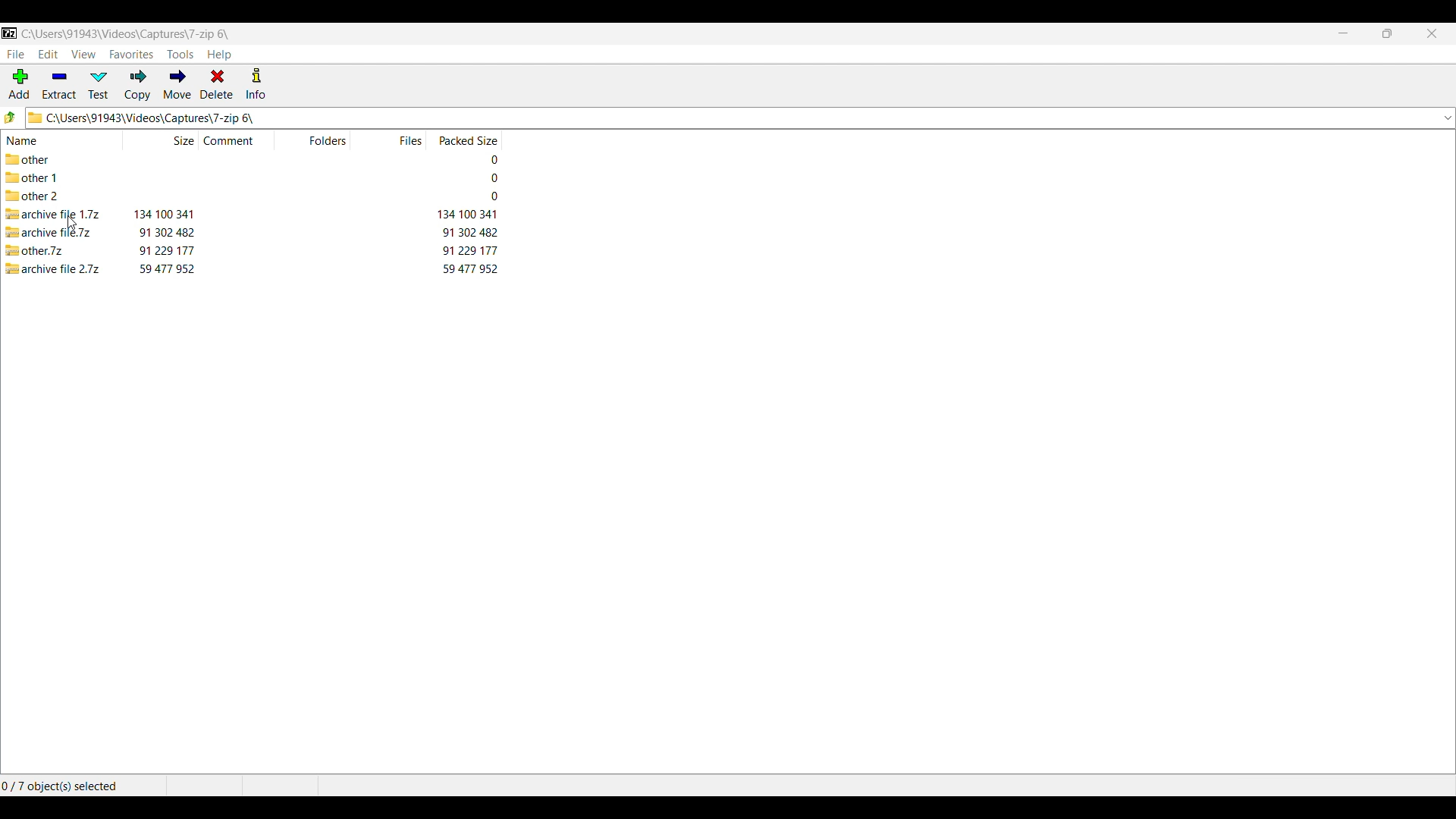 The width and height of the screenshot is (1456, 819). I want to click on packed size, so click(485, 158).